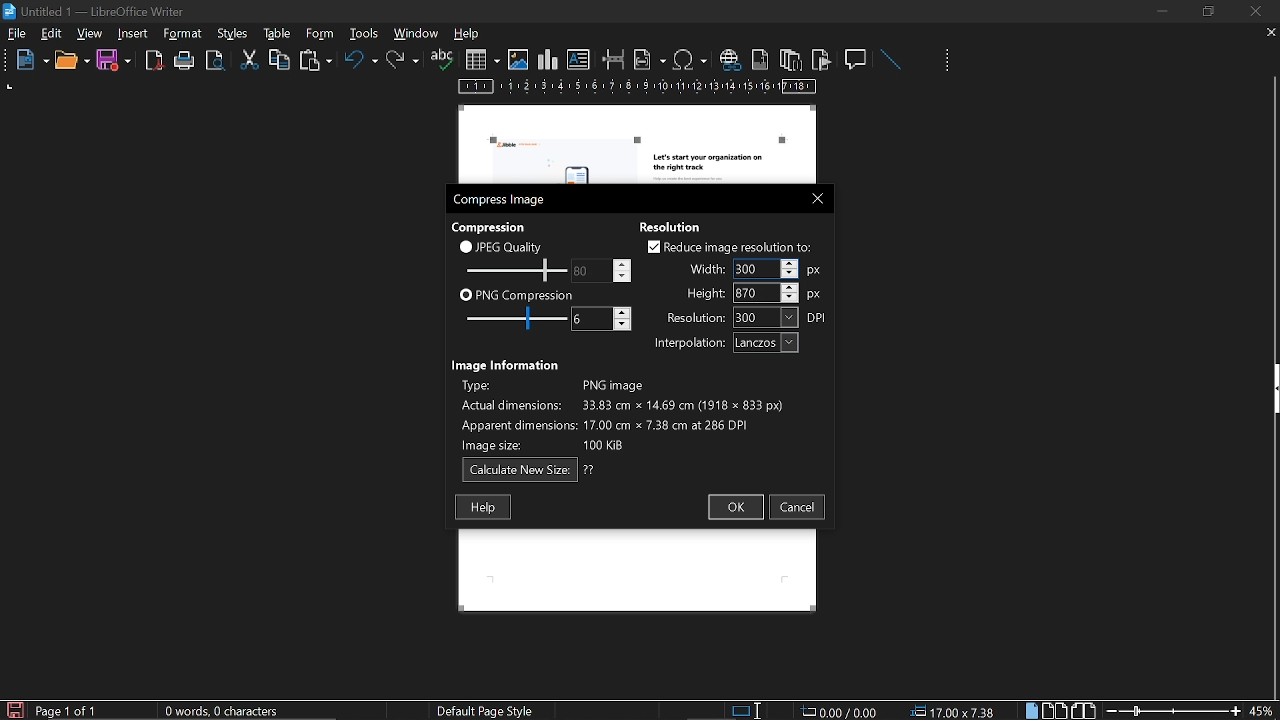  What do you see at coordinates (14, 709) in the screenshot?
I see `save` at bounding box center [14, 709].